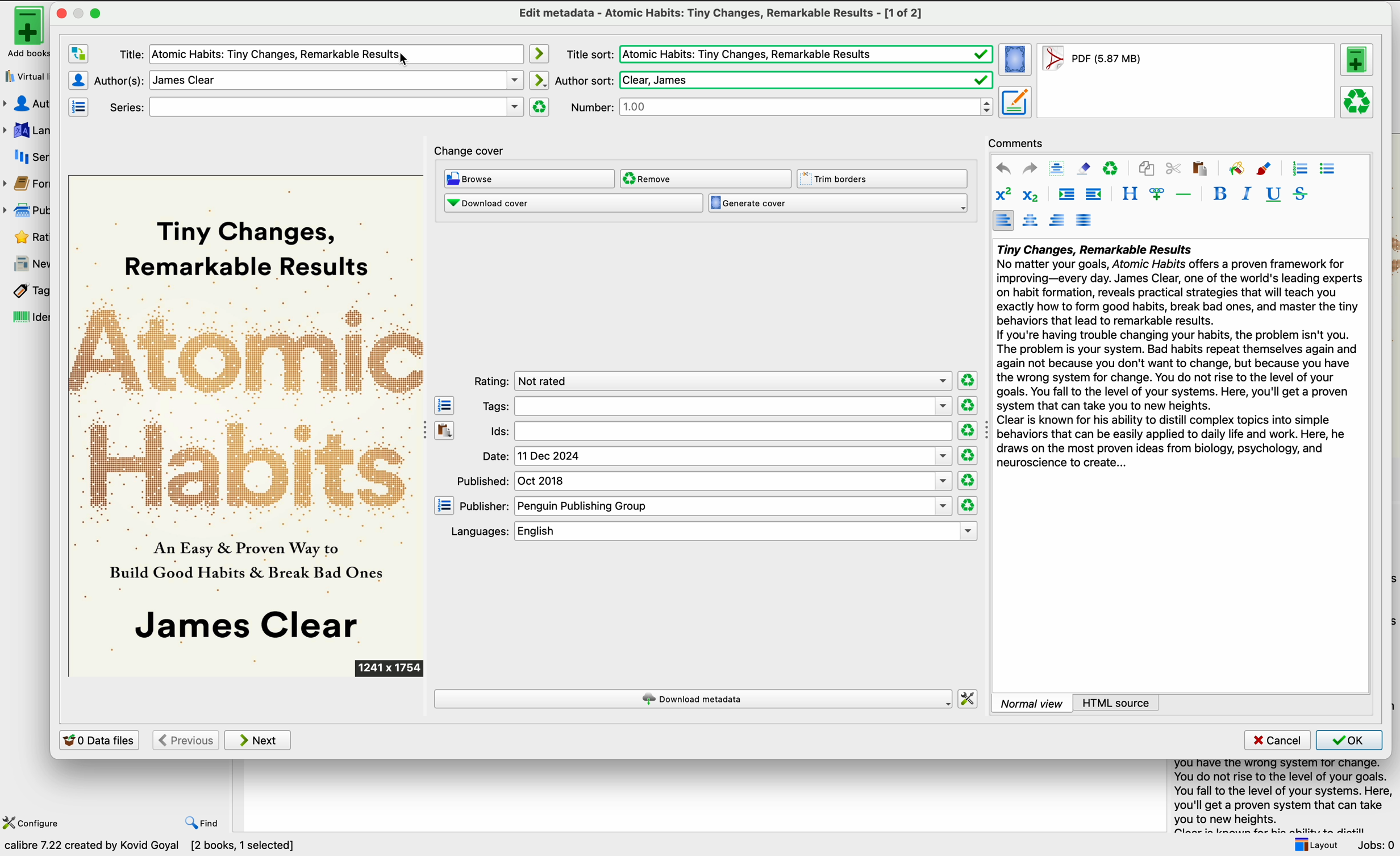  Describe the element at coordinates (693, 699) in the screenshot. I see `download metadata` at that location.